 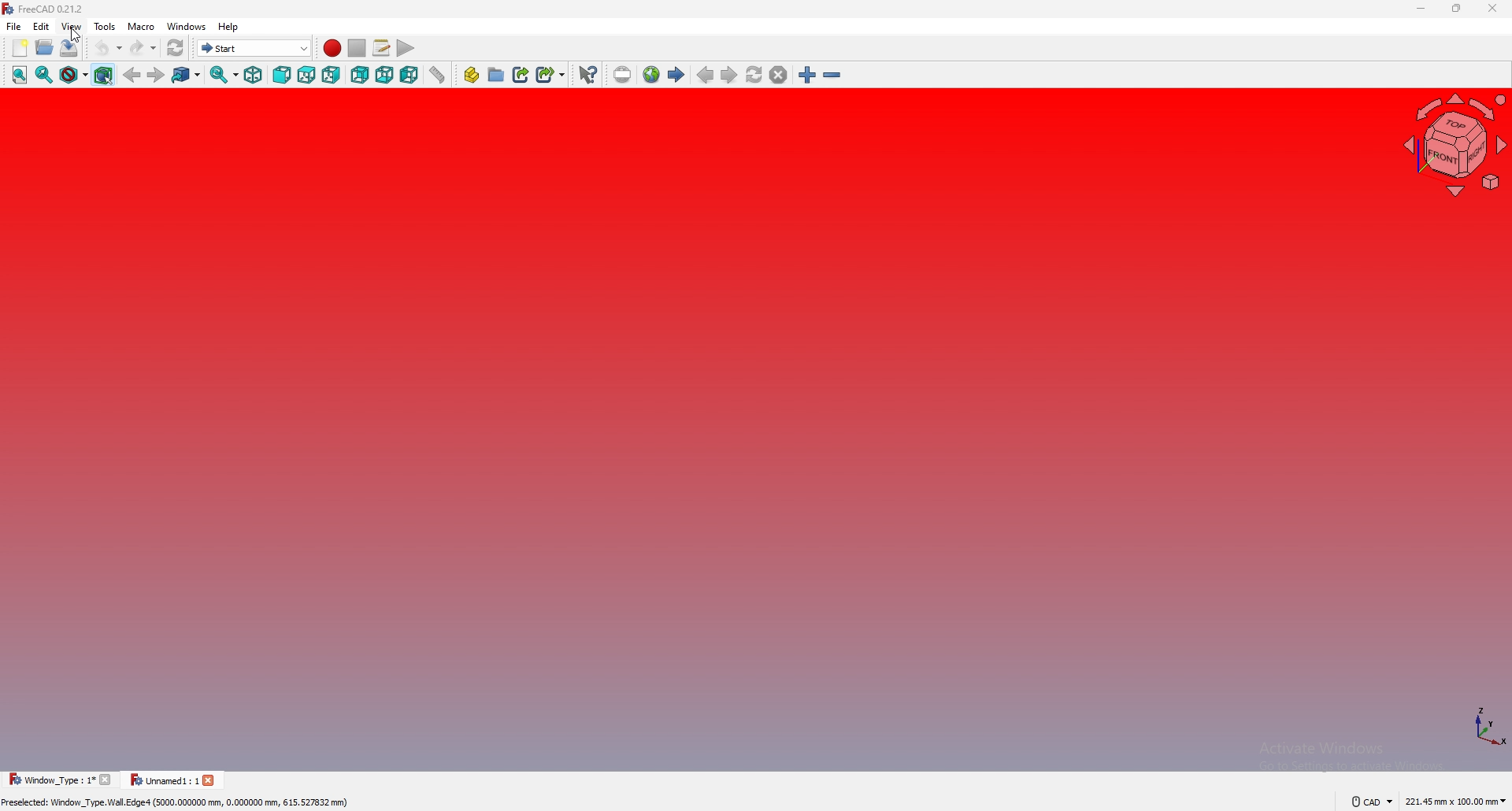 I want to click on Window _Type : 1, so click(x=52, y=779).